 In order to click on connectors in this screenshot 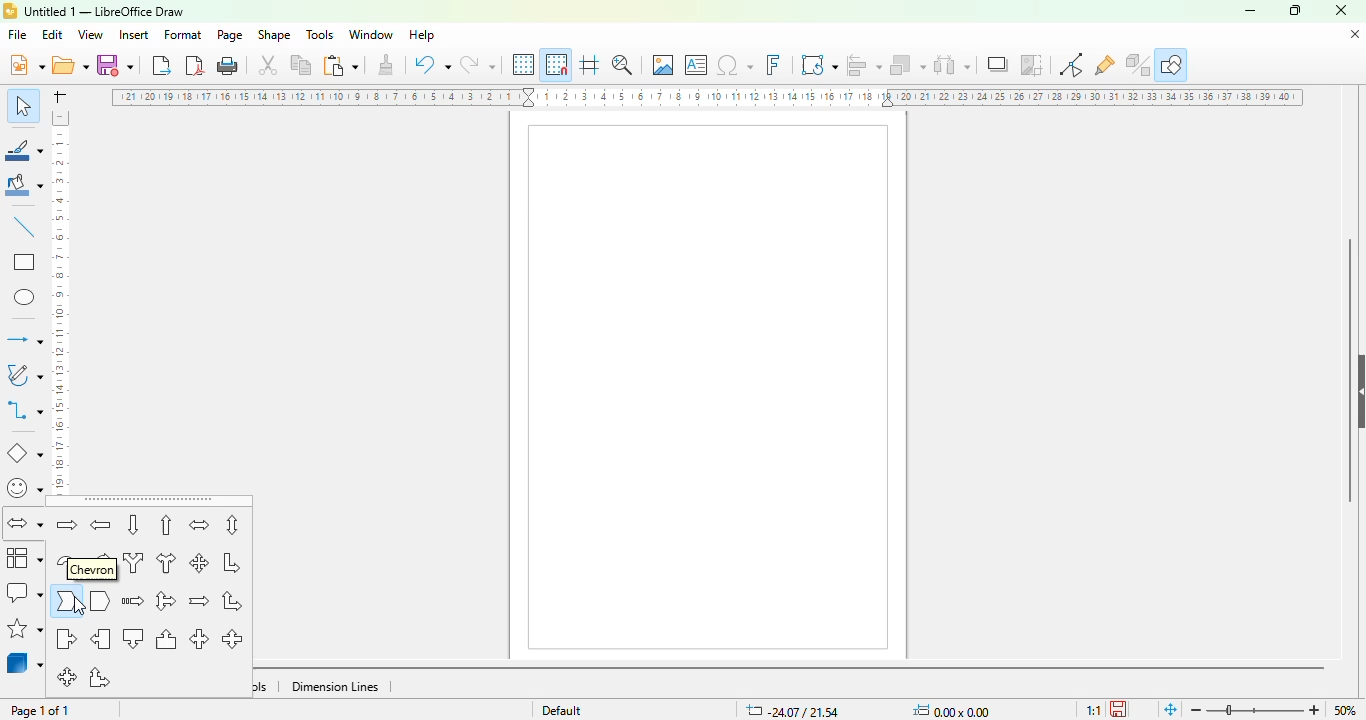, I will do `click(24, 409)`.